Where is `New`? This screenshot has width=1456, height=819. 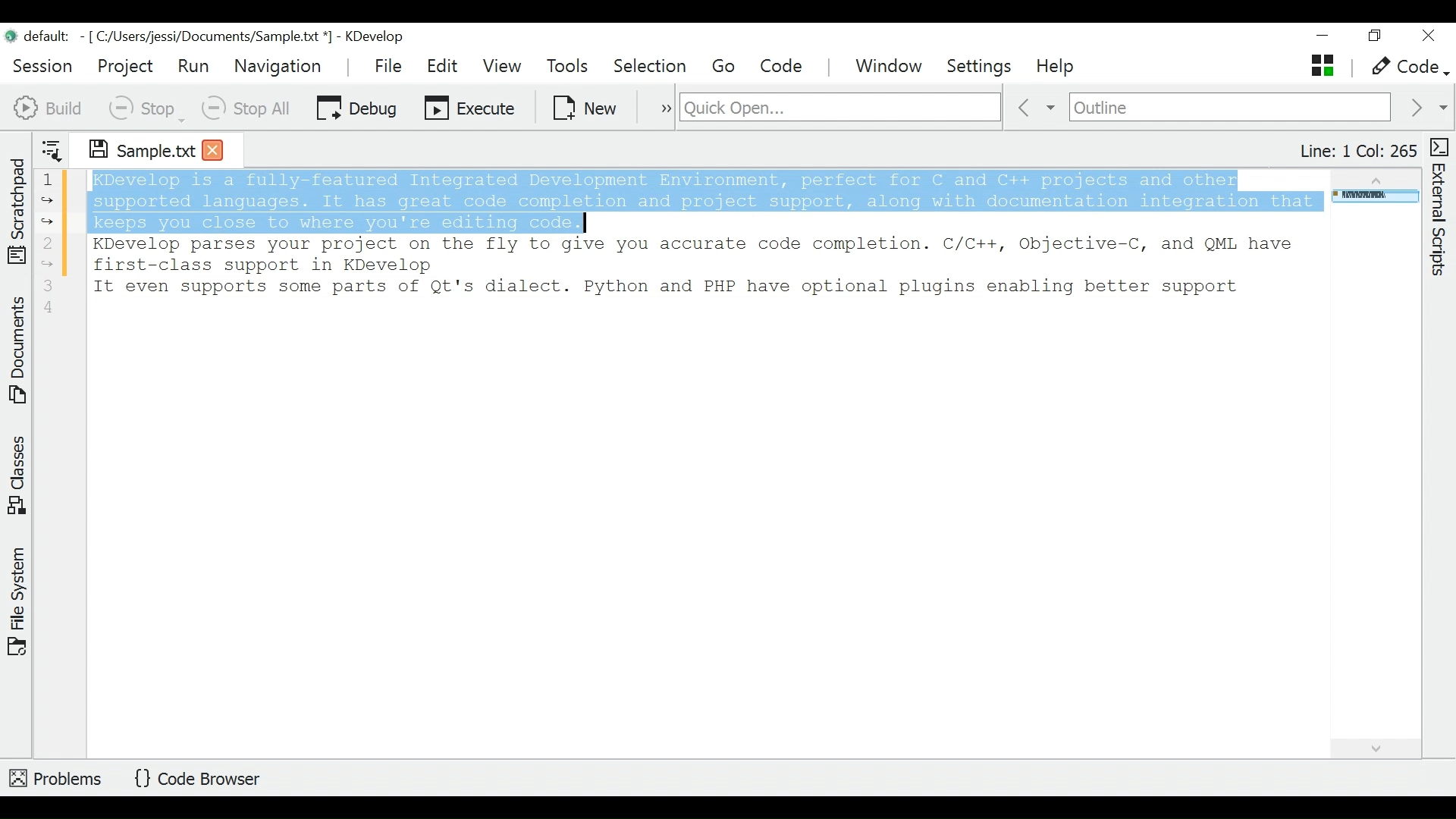
New is located at coordinates (586, 106).